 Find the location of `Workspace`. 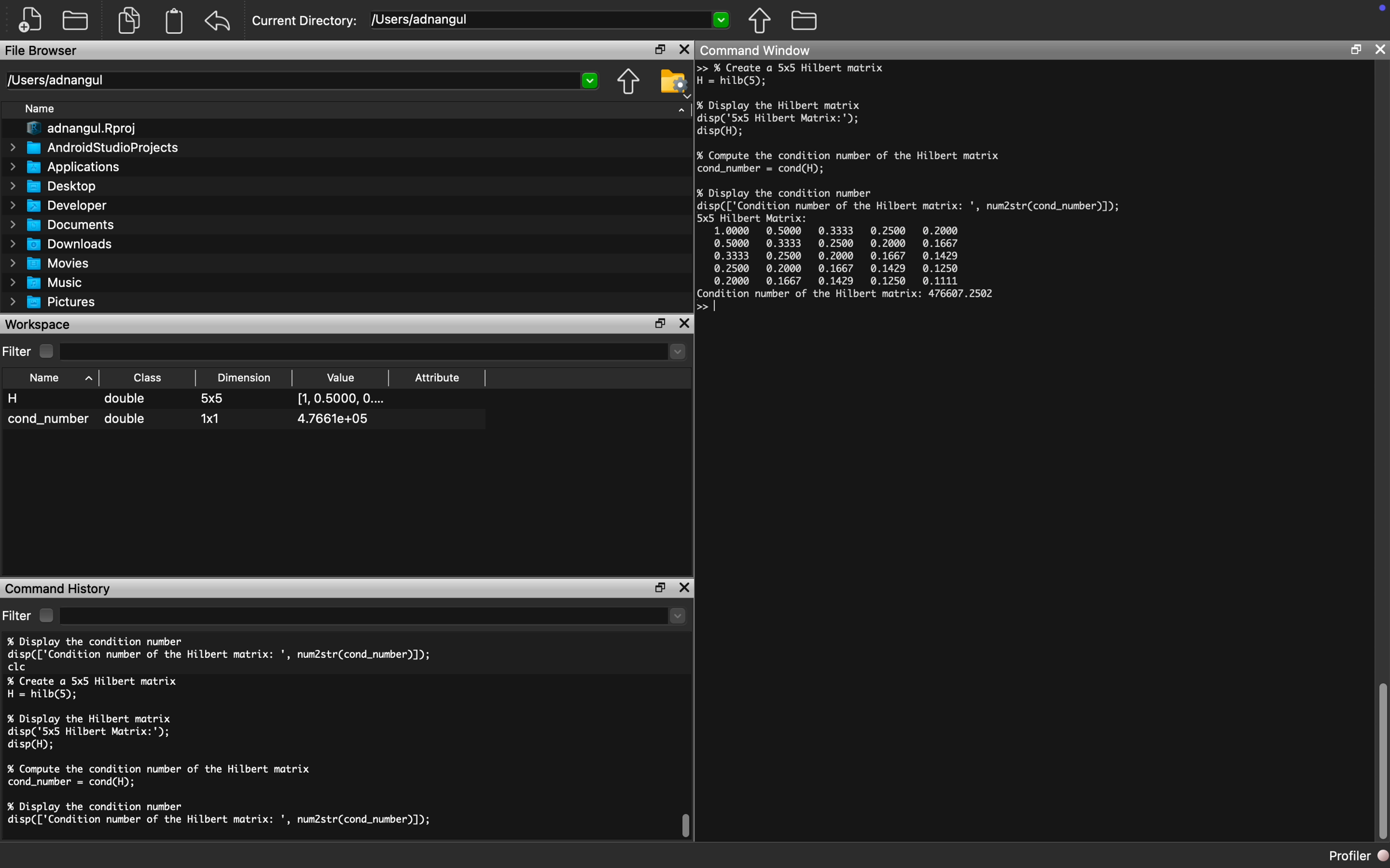

Workspace is located at coordinates (41, 324).